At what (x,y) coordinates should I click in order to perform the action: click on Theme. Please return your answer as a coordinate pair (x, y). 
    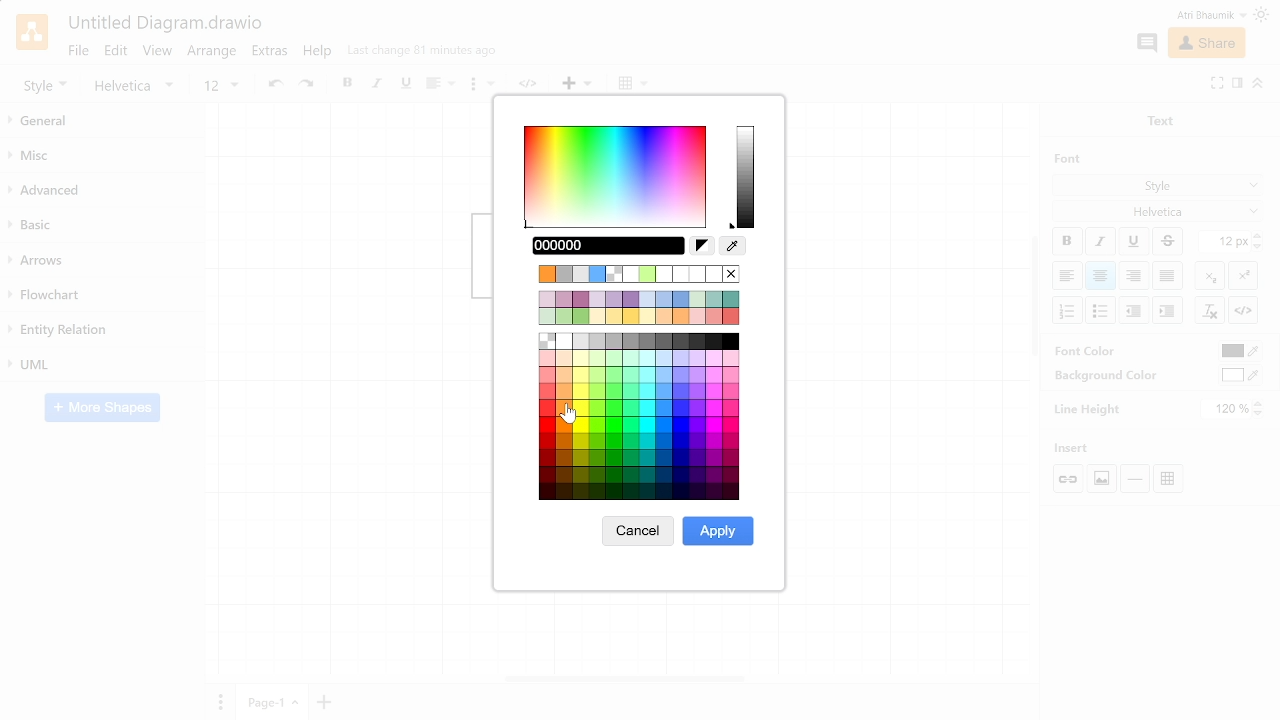
    Looking at the image, I should click on (1264, 15).